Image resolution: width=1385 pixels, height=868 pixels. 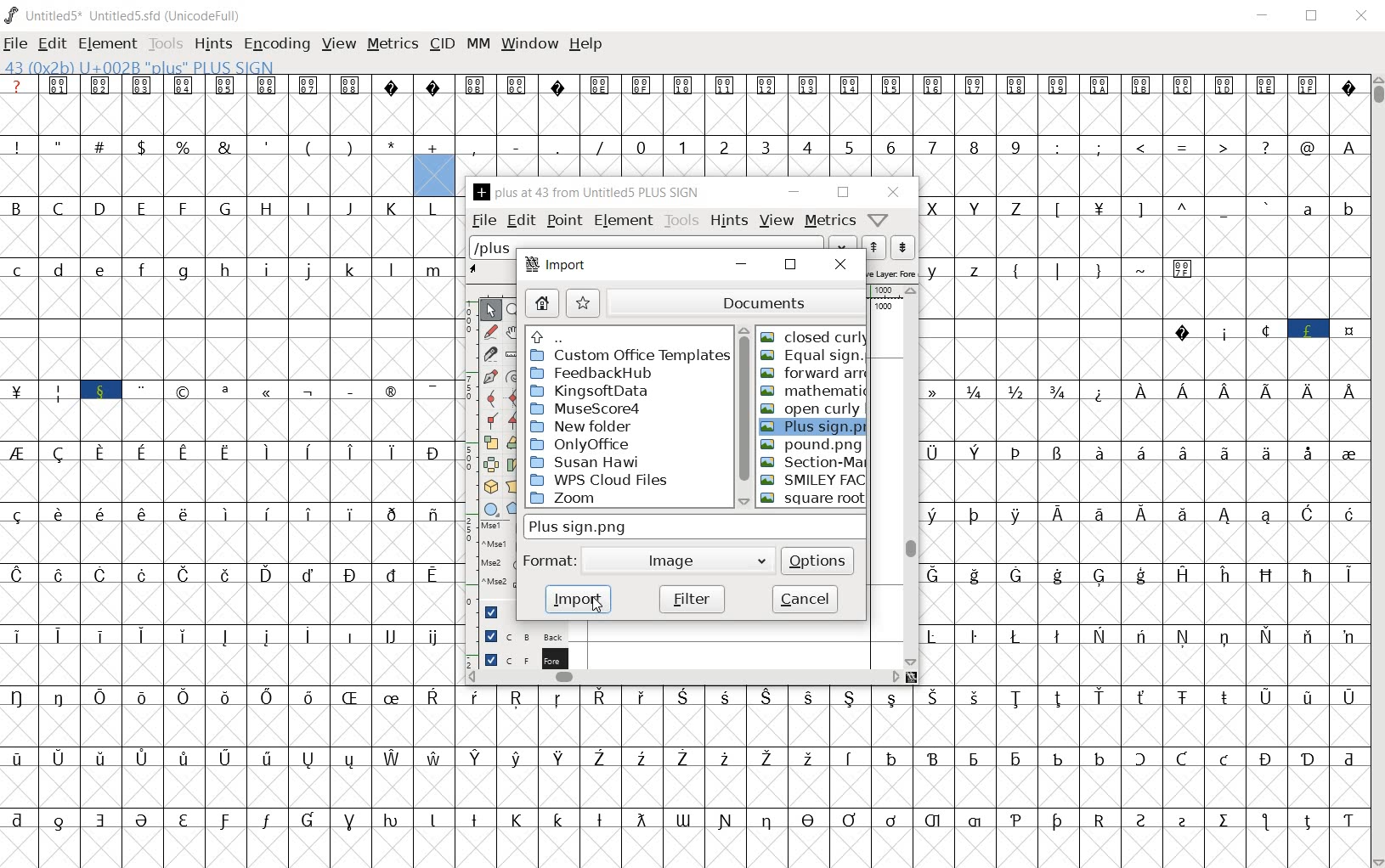 What do you see at coordinates (777, 222) in the screenshot?
I see `view` at bounding box center [777, 222].